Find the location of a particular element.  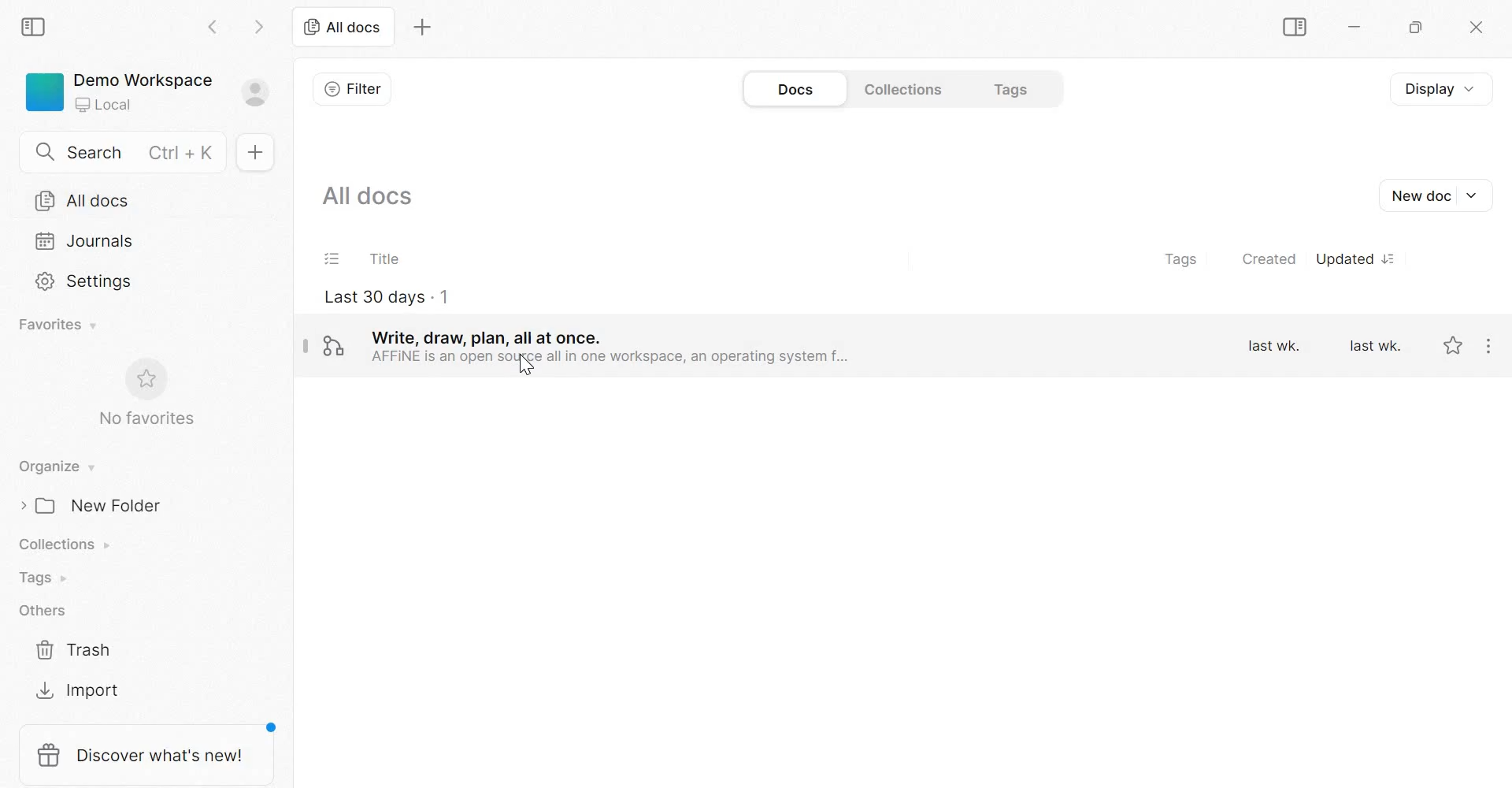

Last 30 days . 1 is located at coordinates (384, 299).